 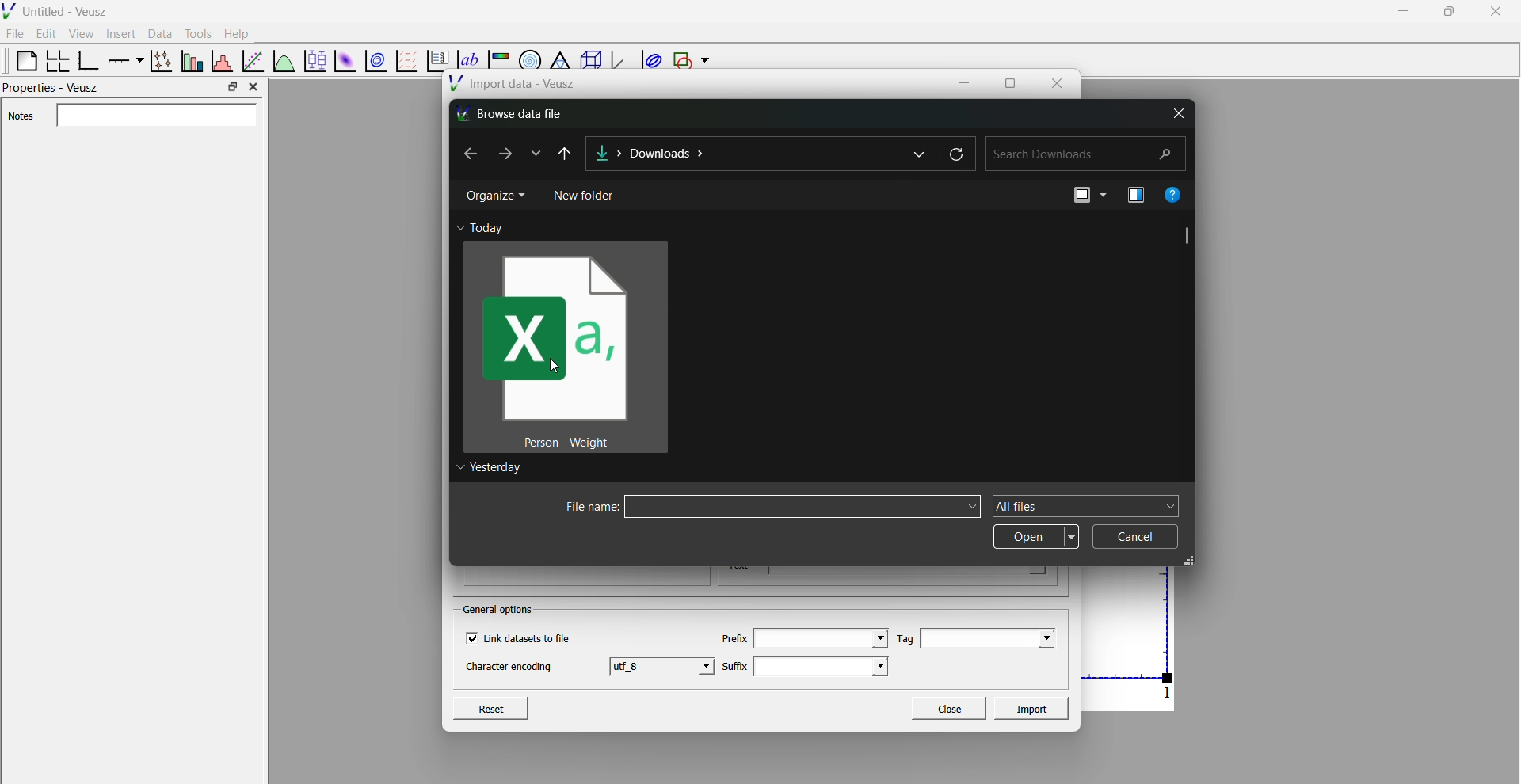 I want to click on Untitled - Veusz, so click(x=67, y=12).